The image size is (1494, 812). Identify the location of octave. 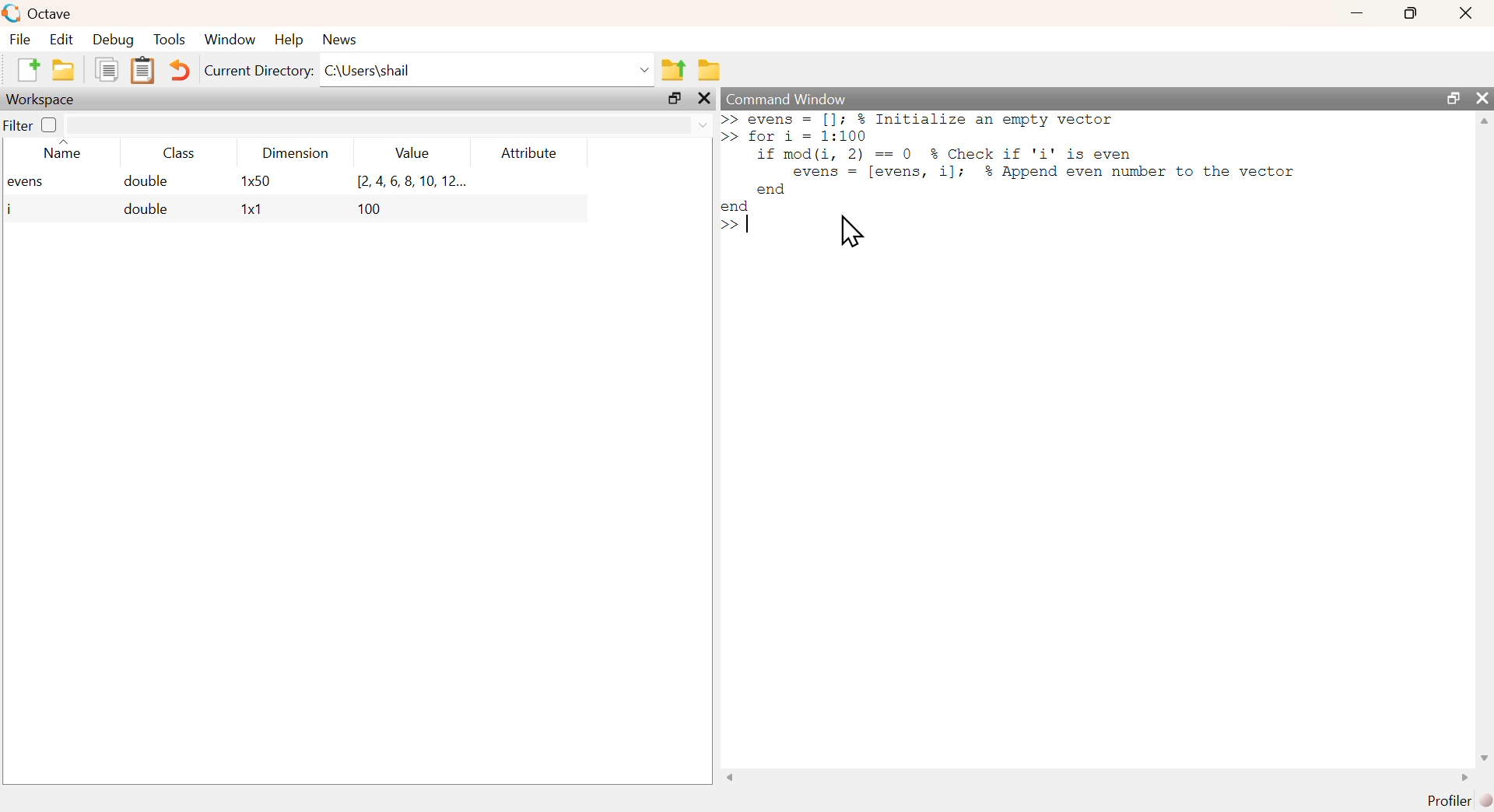
(40, 14).